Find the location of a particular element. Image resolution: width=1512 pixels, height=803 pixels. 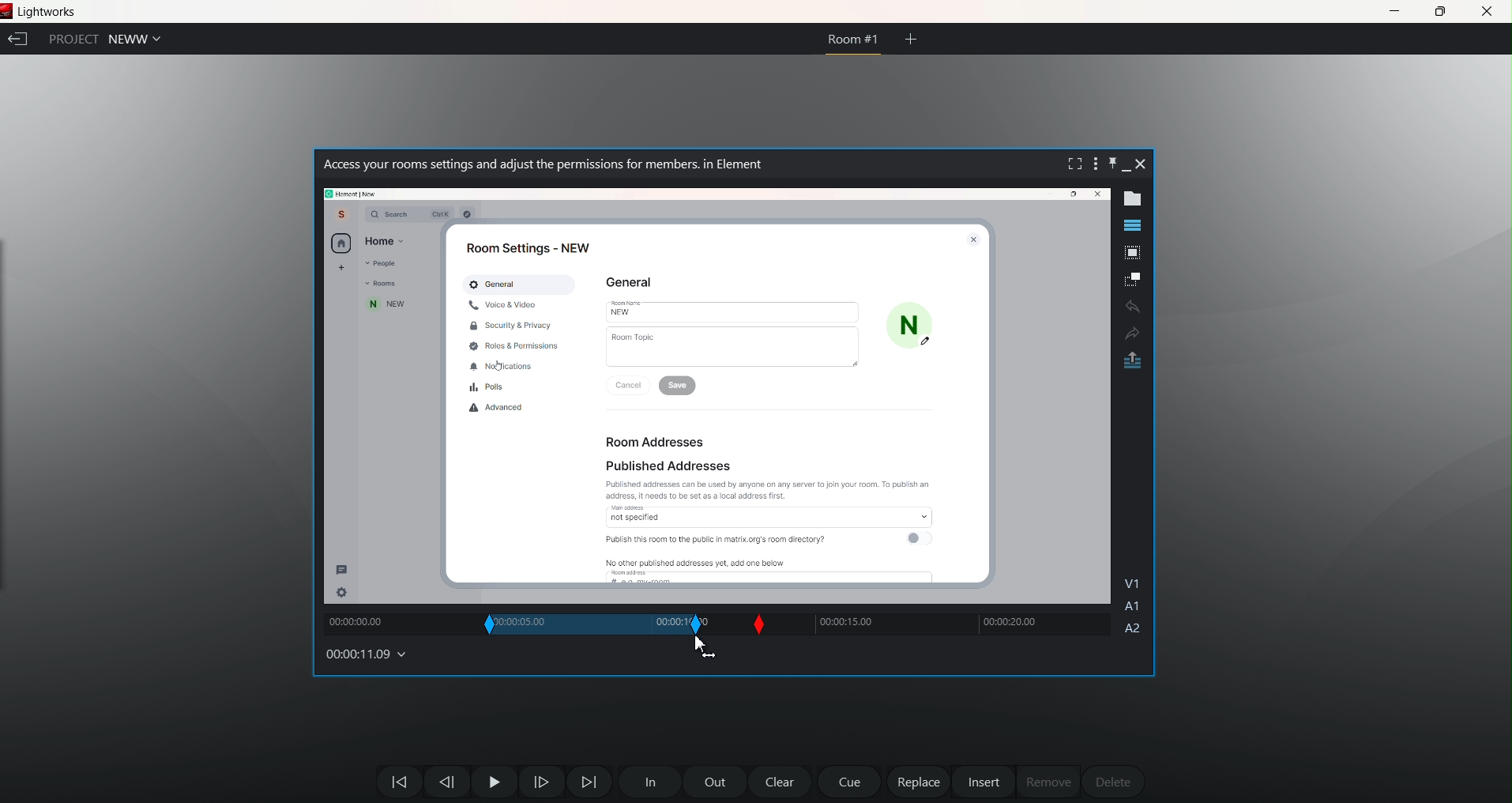

message is located at coordinates (344, 569).